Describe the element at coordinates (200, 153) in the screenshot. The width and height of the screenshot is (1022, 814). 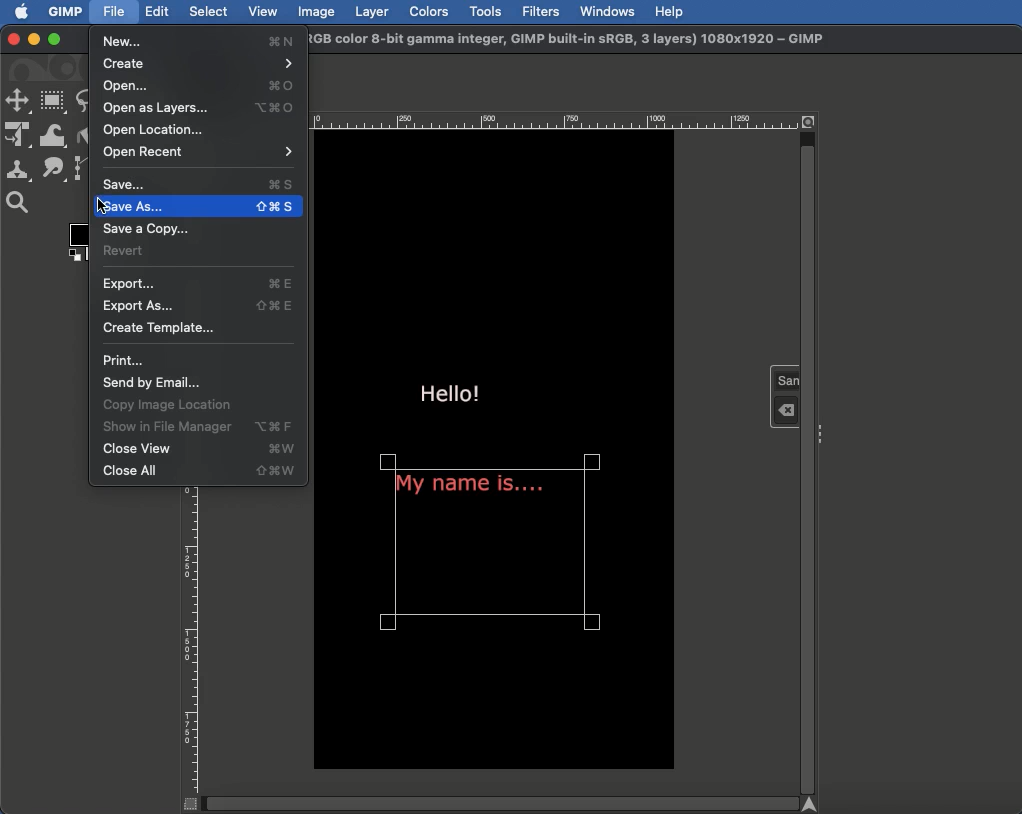
I see `Open recent` at that location.